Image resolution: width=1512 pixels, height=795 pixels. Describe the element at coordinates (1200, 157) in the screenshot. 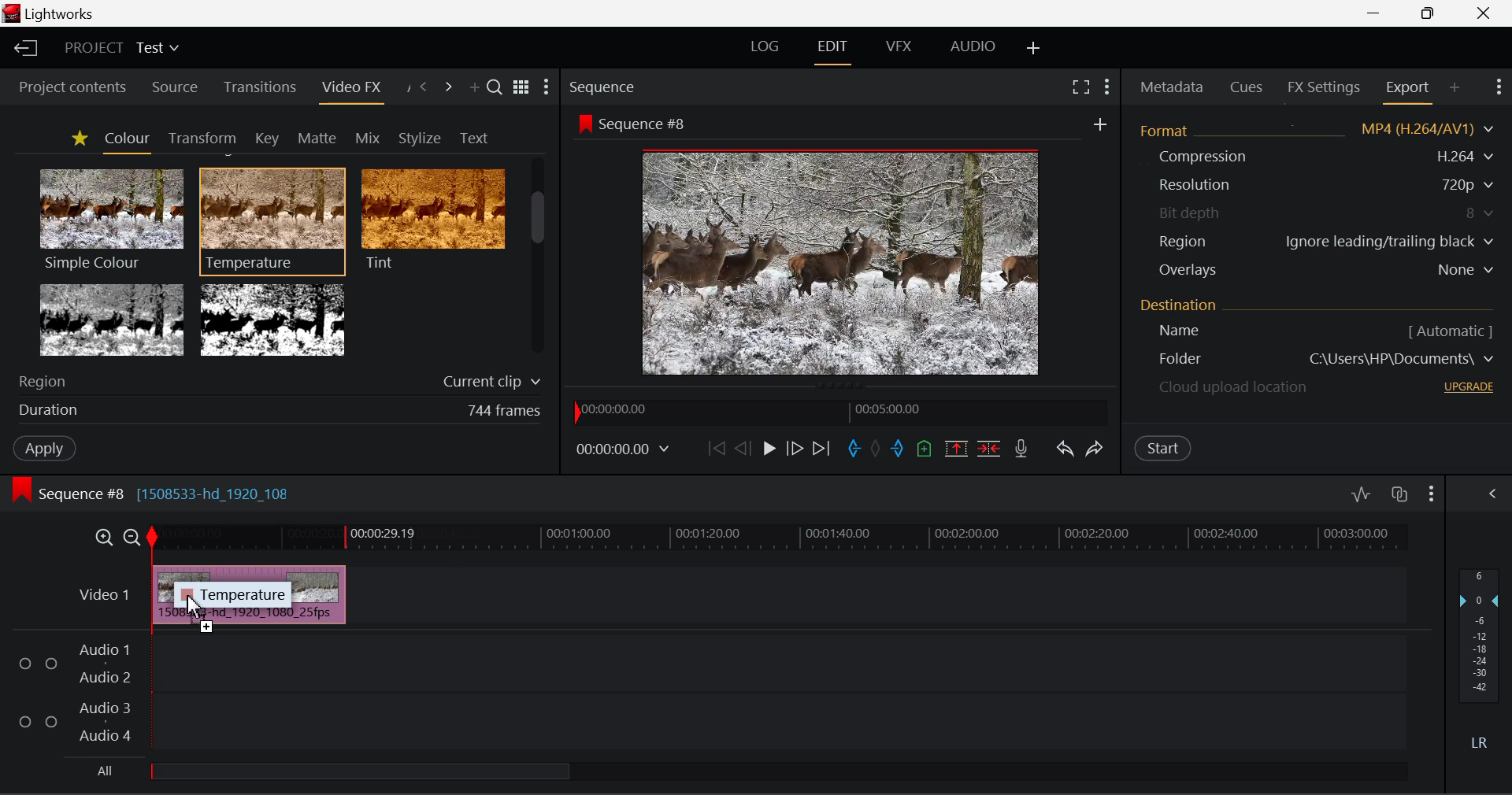

I see `Compression` at that location.